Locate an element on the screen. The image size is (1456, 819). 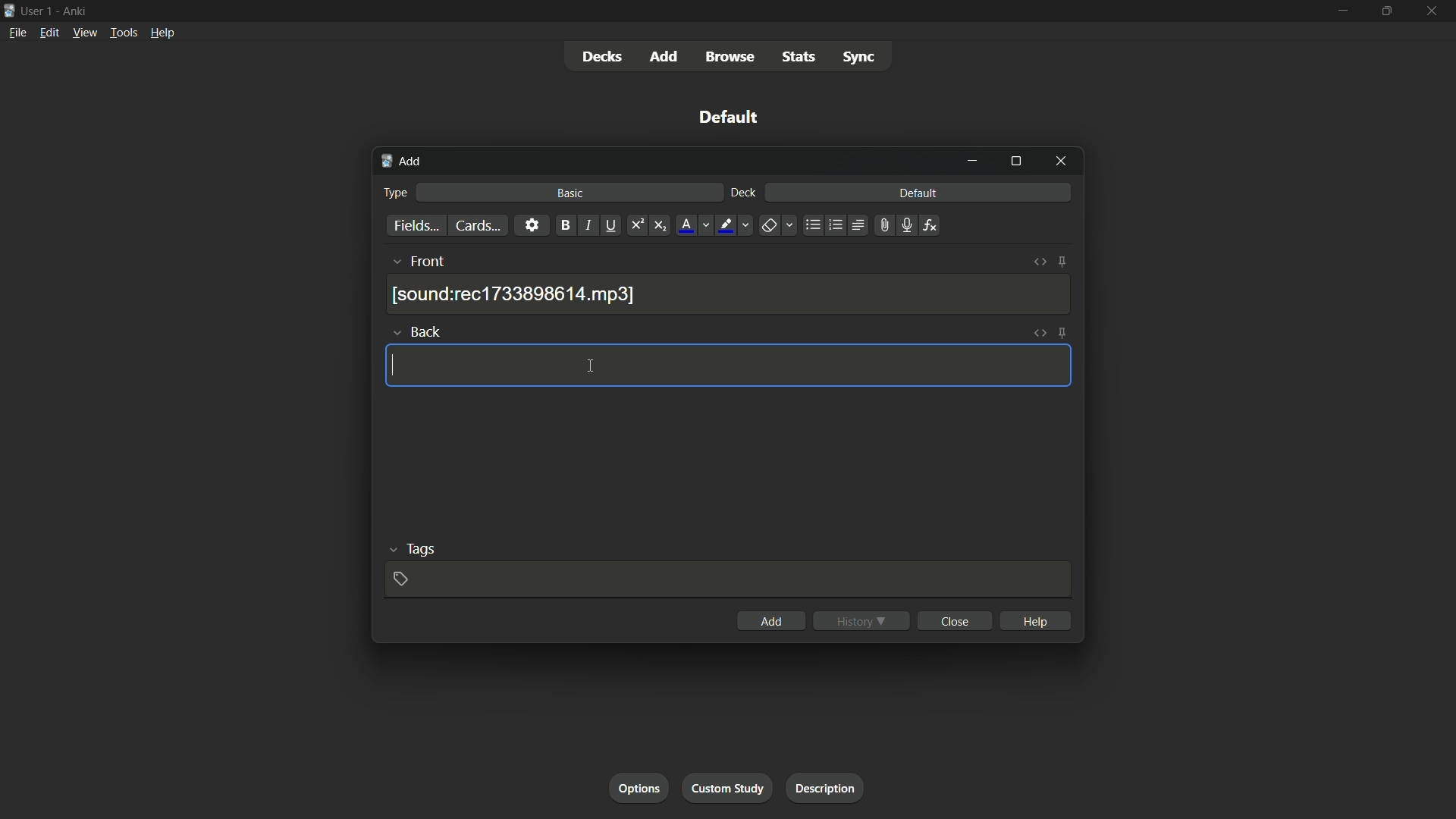
ordered list is located at coordinates (834, 225).